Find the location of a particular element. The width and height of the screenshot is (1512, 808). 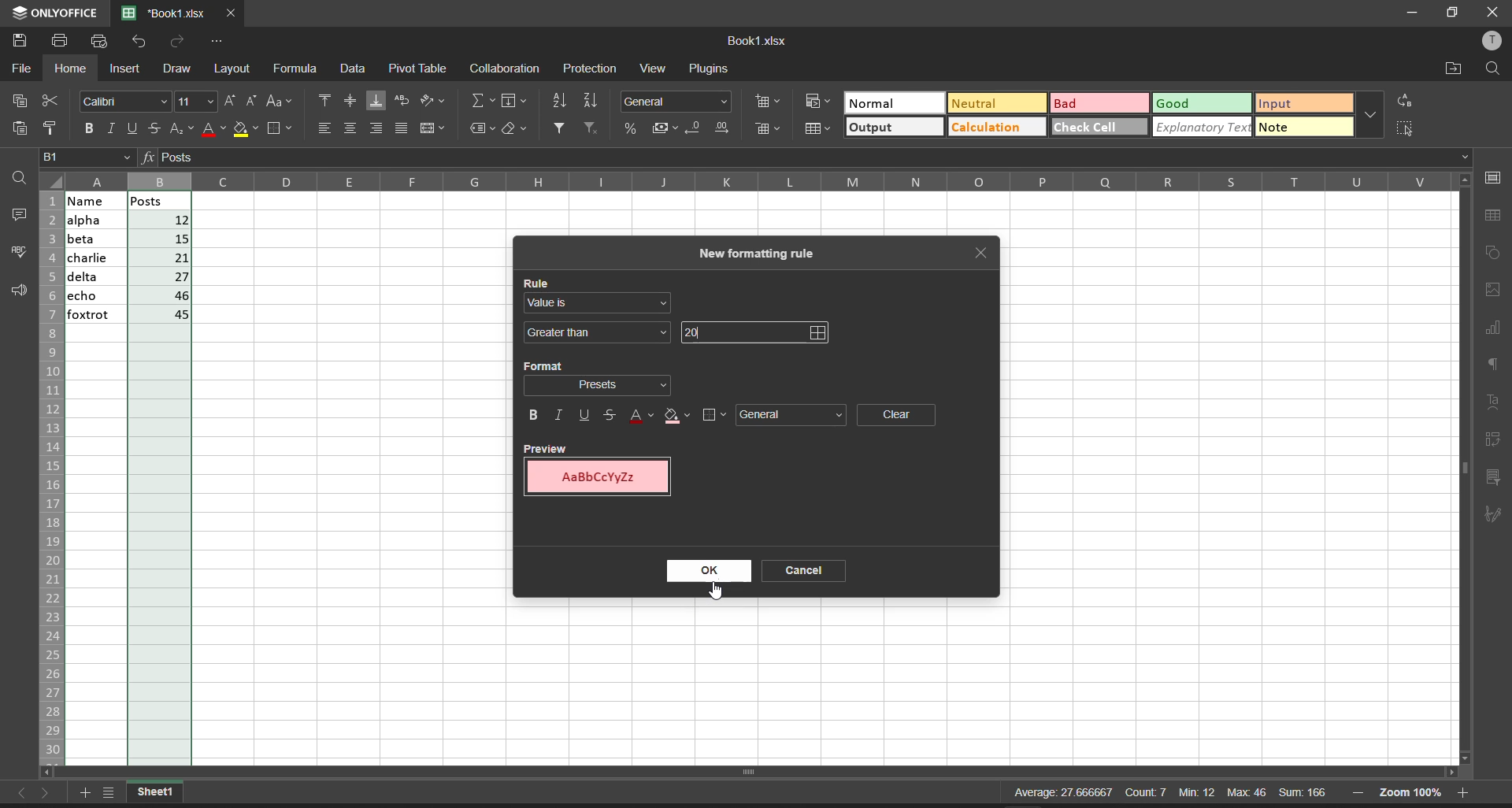

percent style is located at coordinates (630, 130).